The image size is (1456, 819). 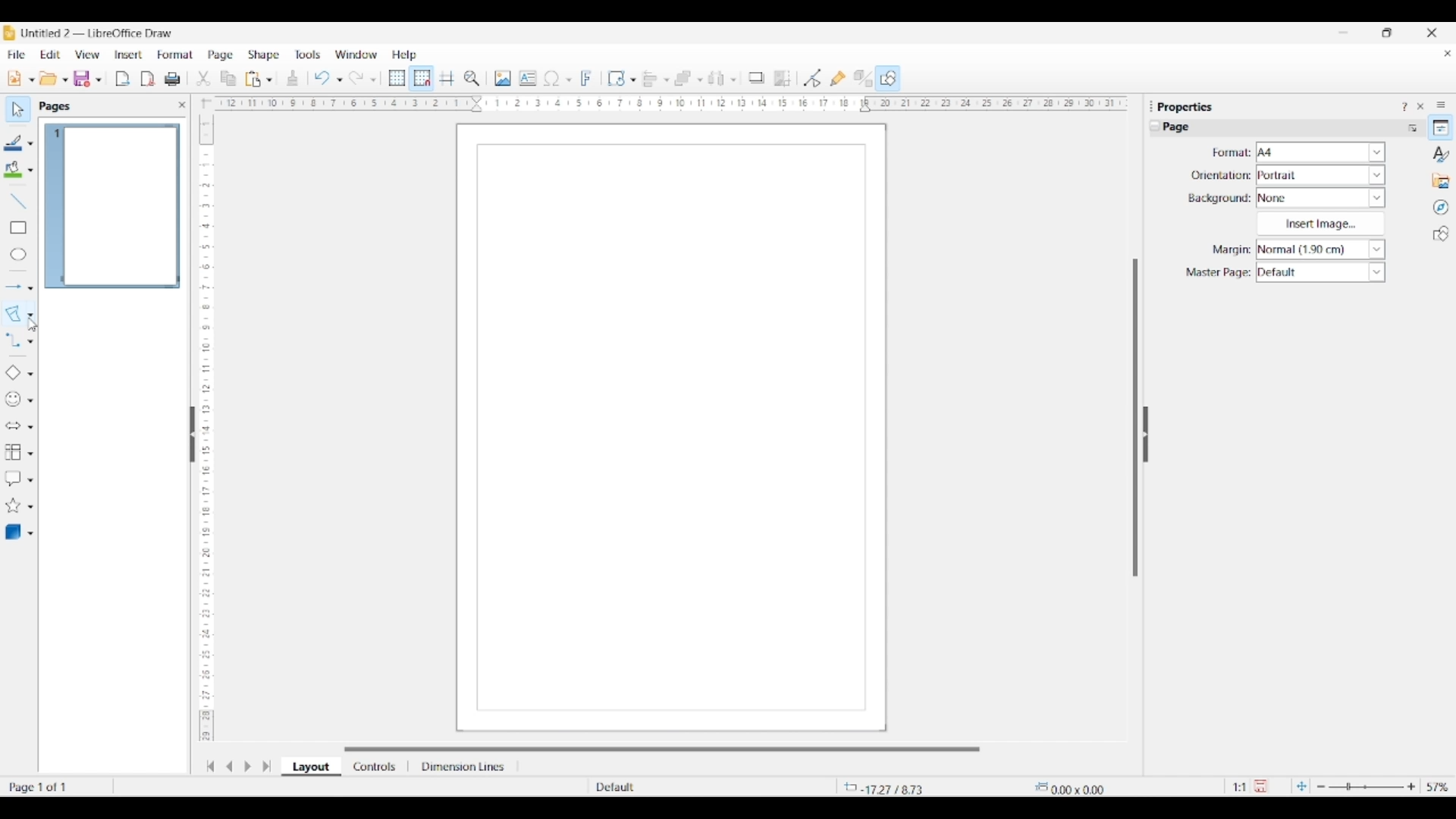 I want to click on Selected callout shape, so click(x=12, y=478).